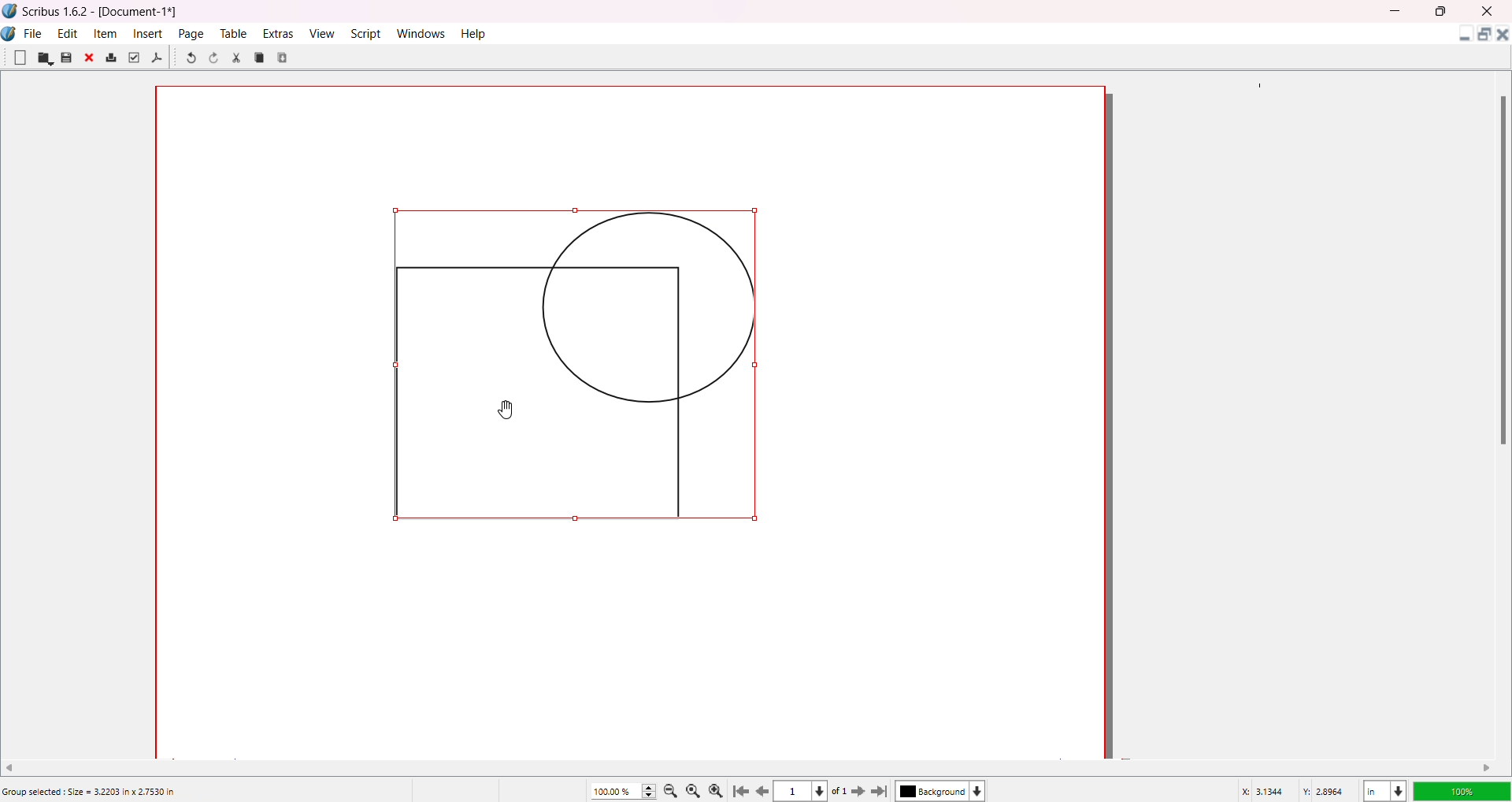 The image size is (1512, 802). I want to click on MInimize, so click(1398, 11).